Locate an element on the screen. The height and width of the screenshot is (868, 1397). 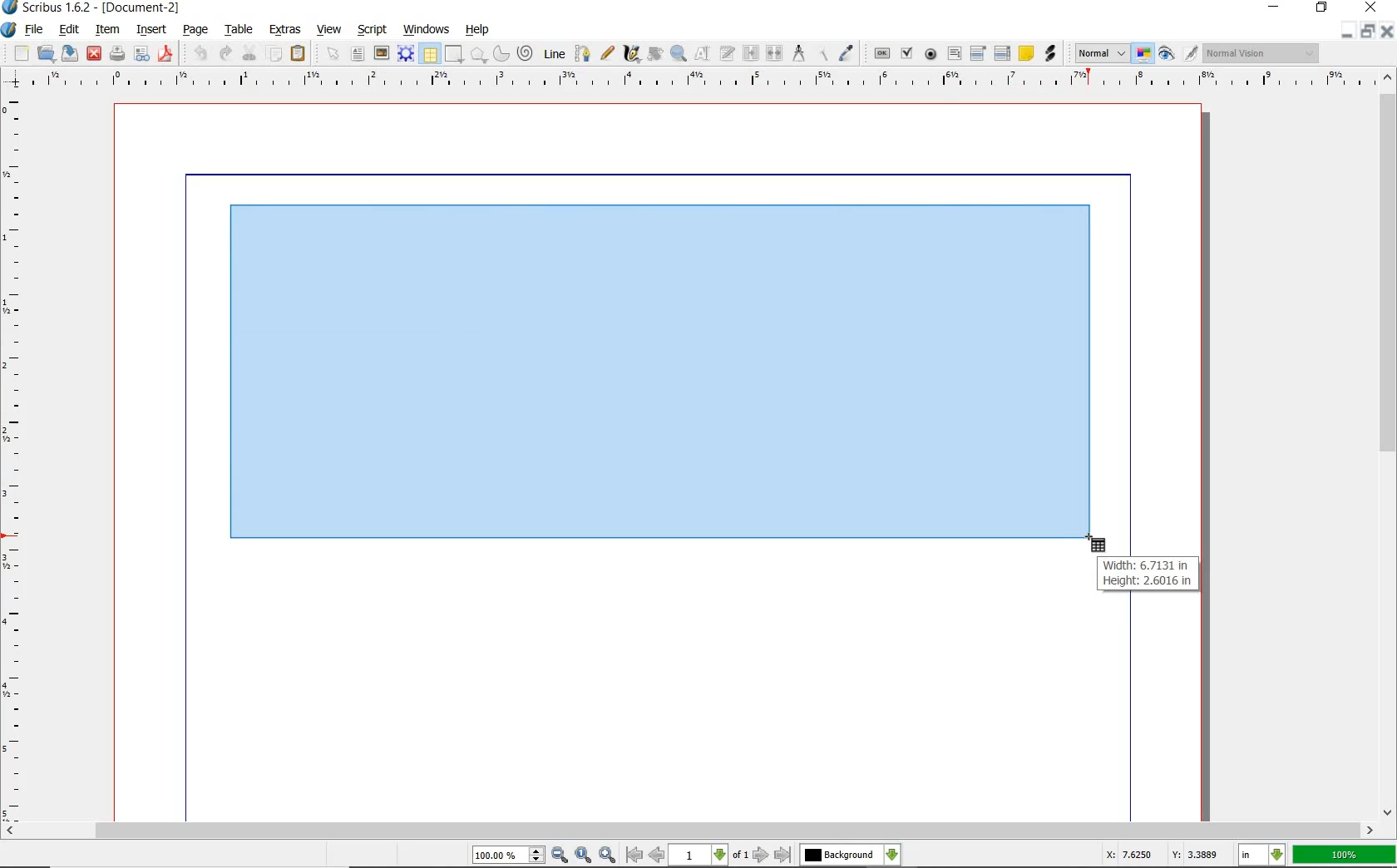
edit frame with story editor is located at coordinates (725, 55).